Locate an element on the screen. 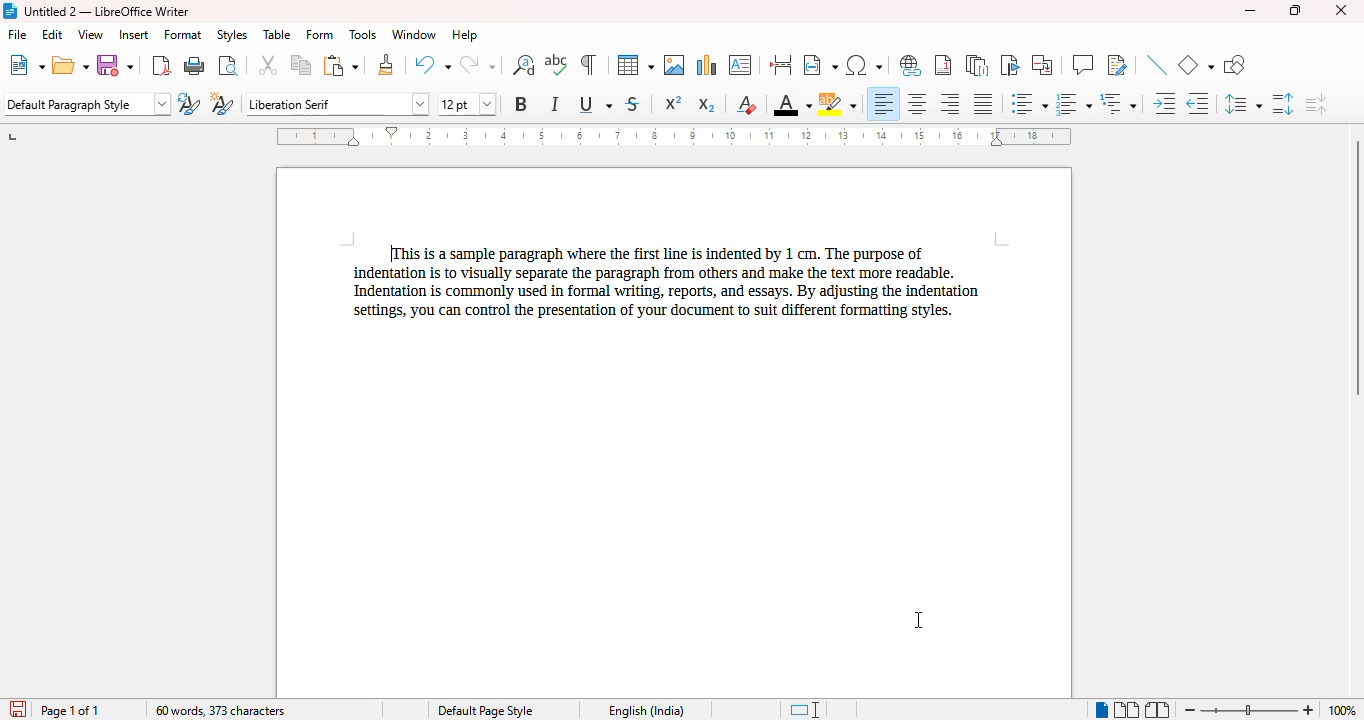  tools is located at coordinates (362, 35).